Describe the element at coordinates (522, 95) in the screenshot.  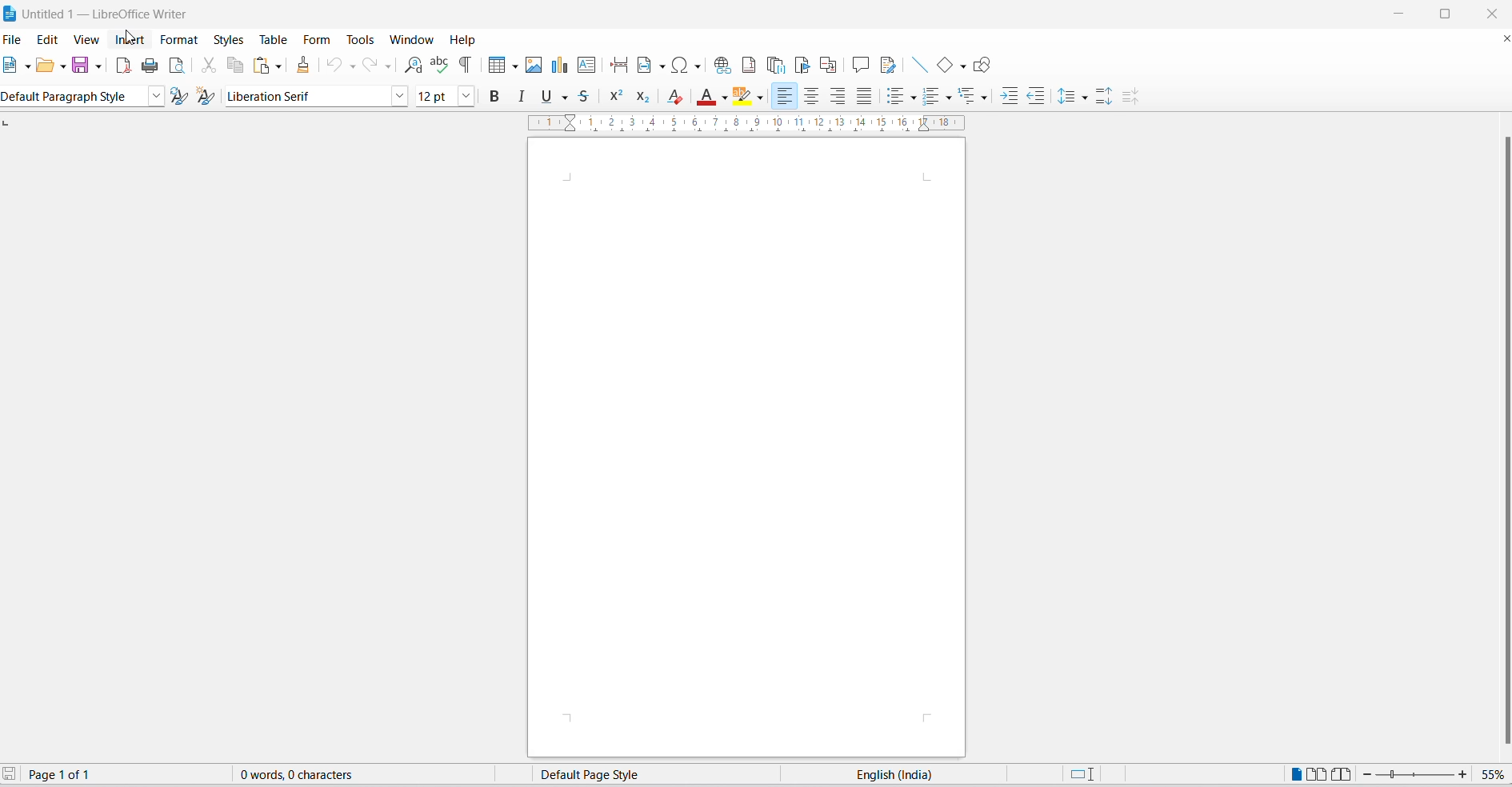
I see `italic` at that location.